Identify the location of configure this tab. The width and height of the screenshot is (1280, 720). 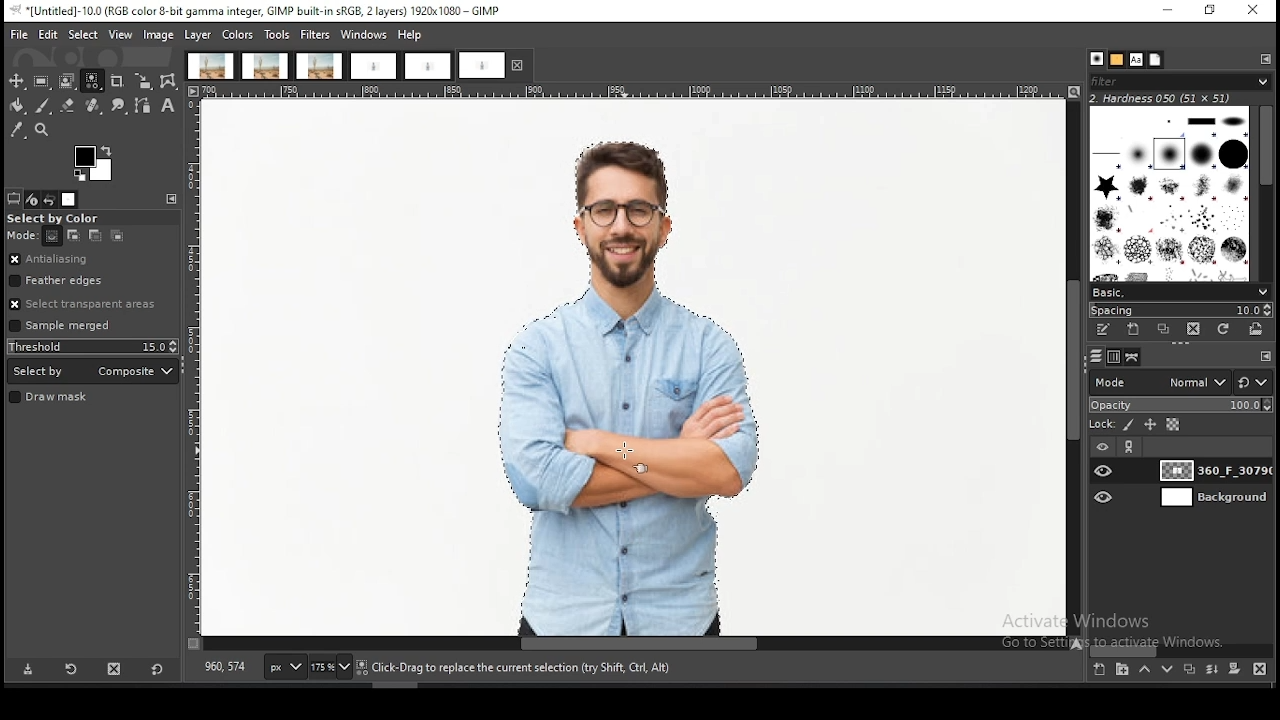
(175, 198).